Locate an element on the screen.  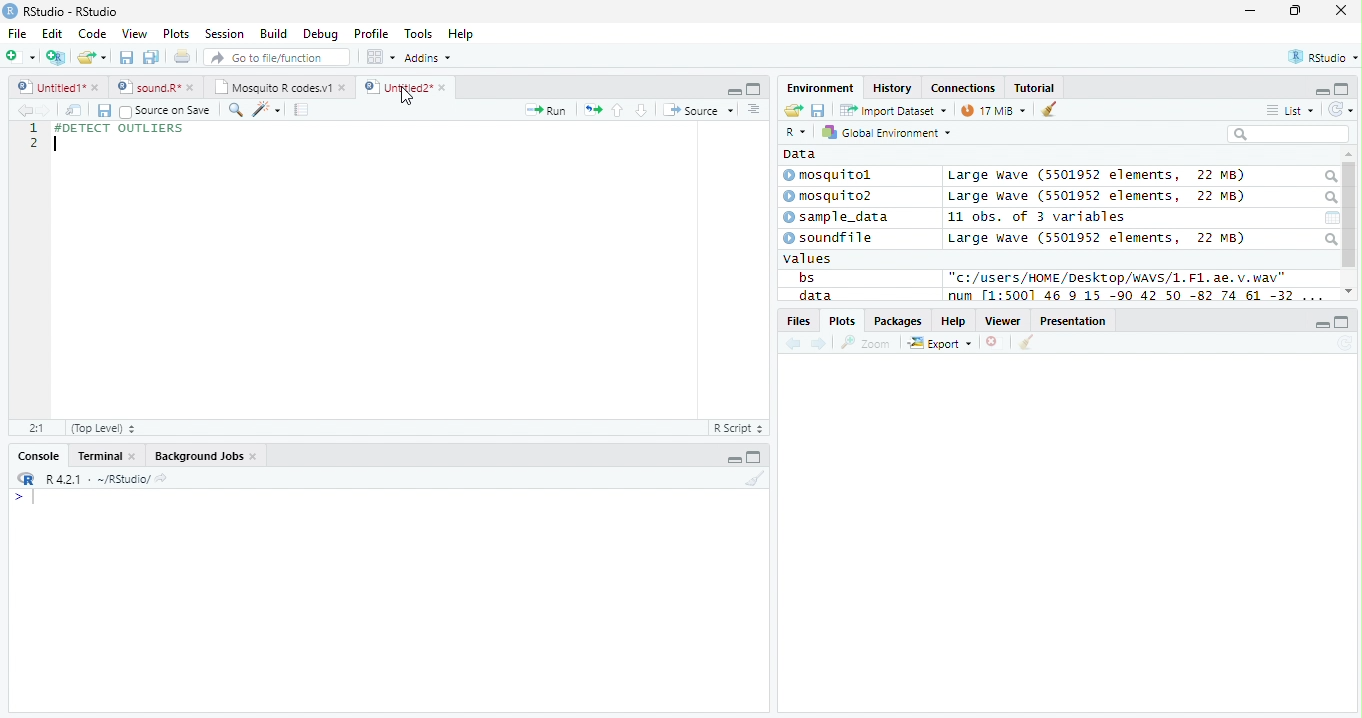
soundfile is located at coordinates (829, 238).